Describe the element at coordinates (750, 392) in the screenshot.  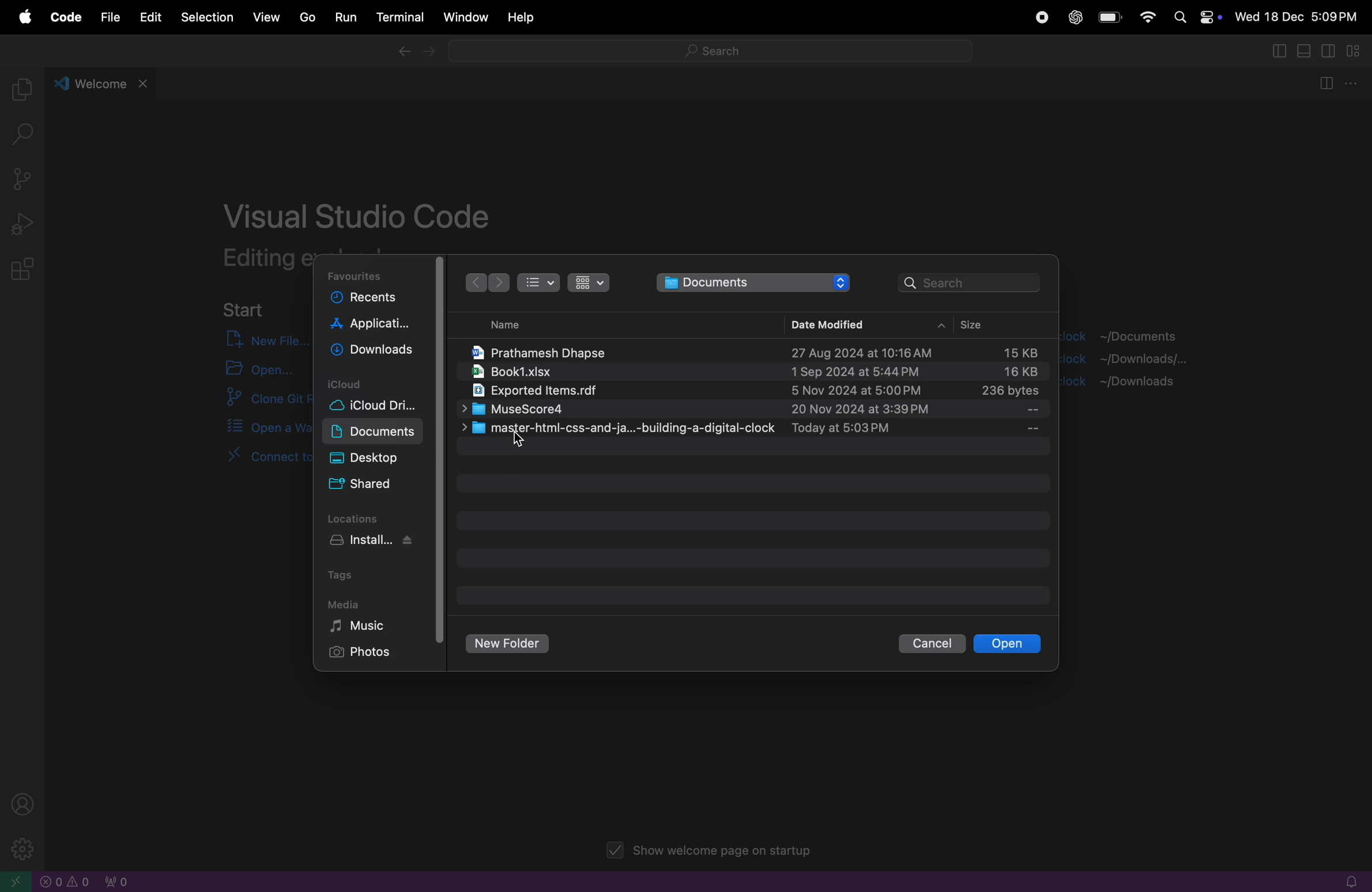
I see `zip file` at that location.